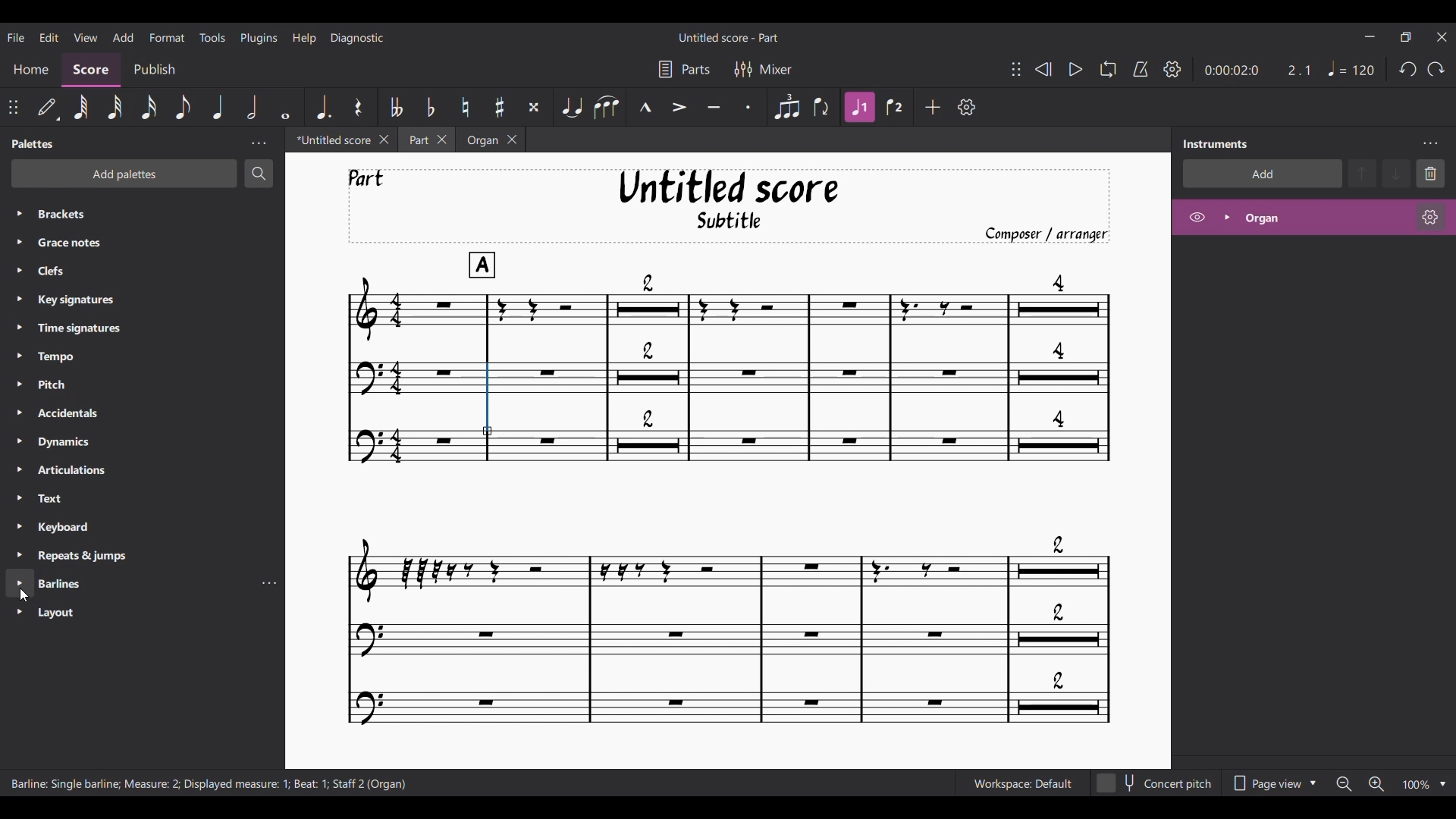  What do you see at coordinates (513, 140) in the screenshot?
I see `Close organ tab` at bounding box center [513, 140].